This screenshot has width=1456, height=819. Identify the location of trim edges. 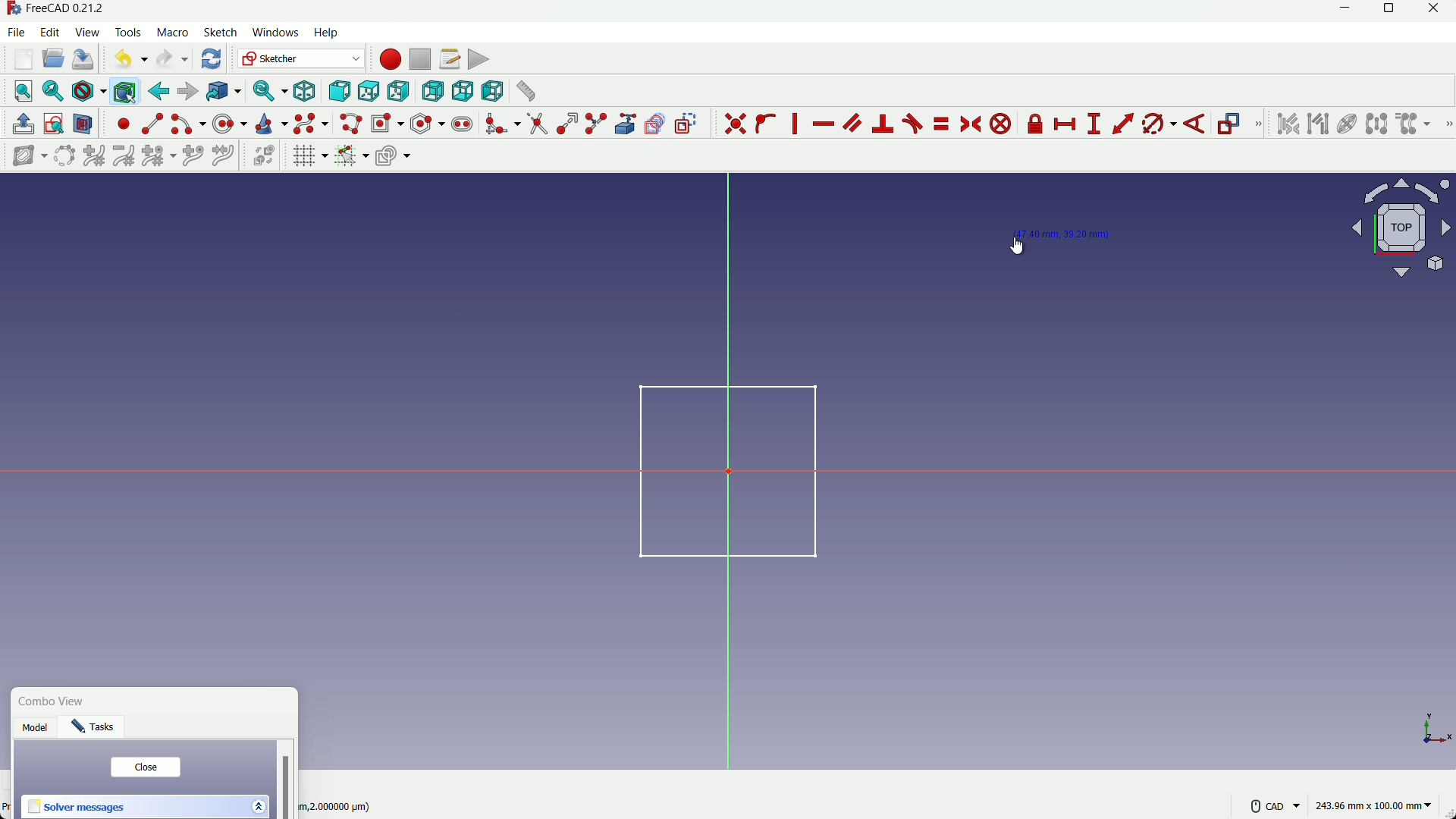
(537, 124).